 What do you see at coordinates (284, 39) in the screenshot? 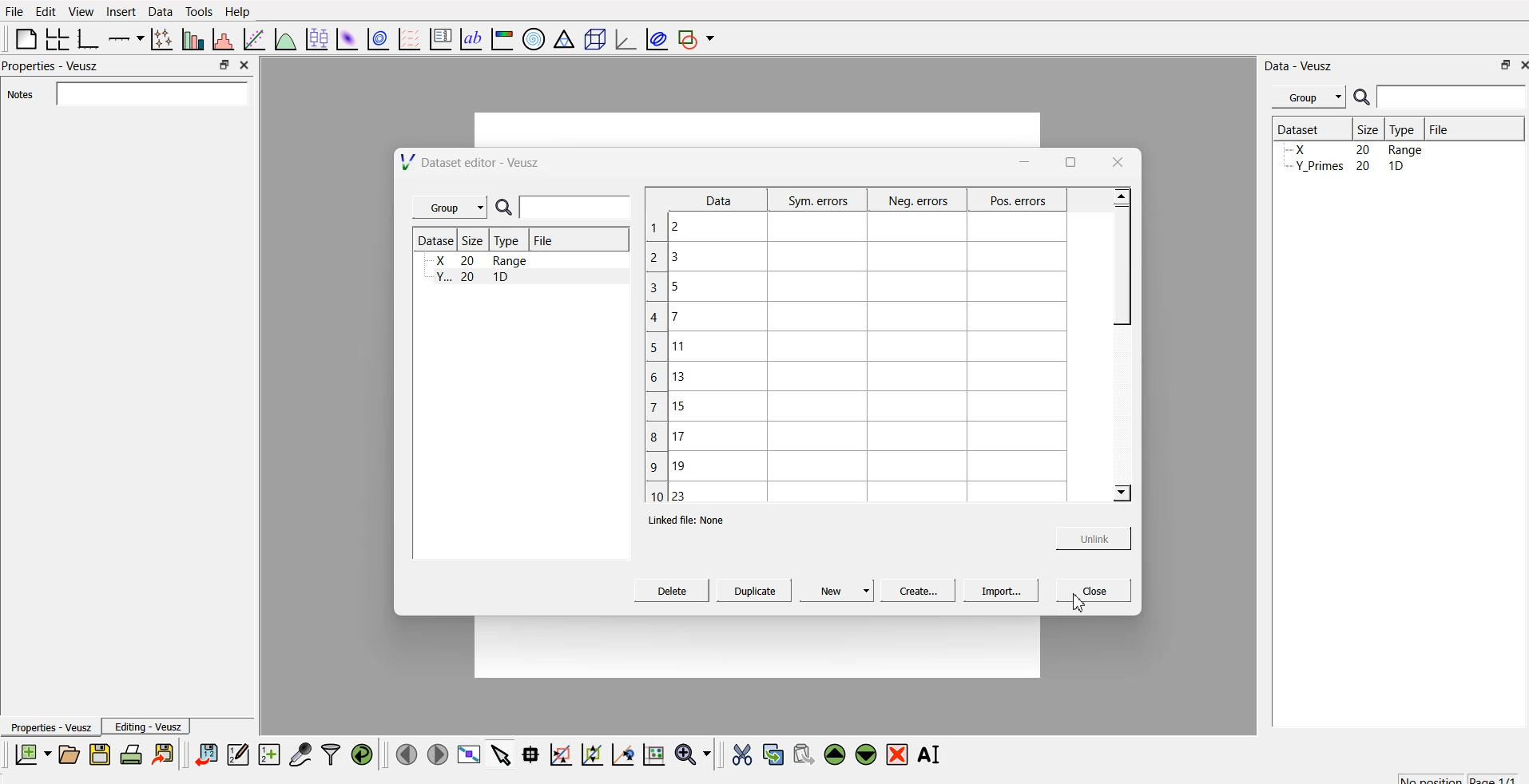
I see `plot function` at bounding box center [284, 39].